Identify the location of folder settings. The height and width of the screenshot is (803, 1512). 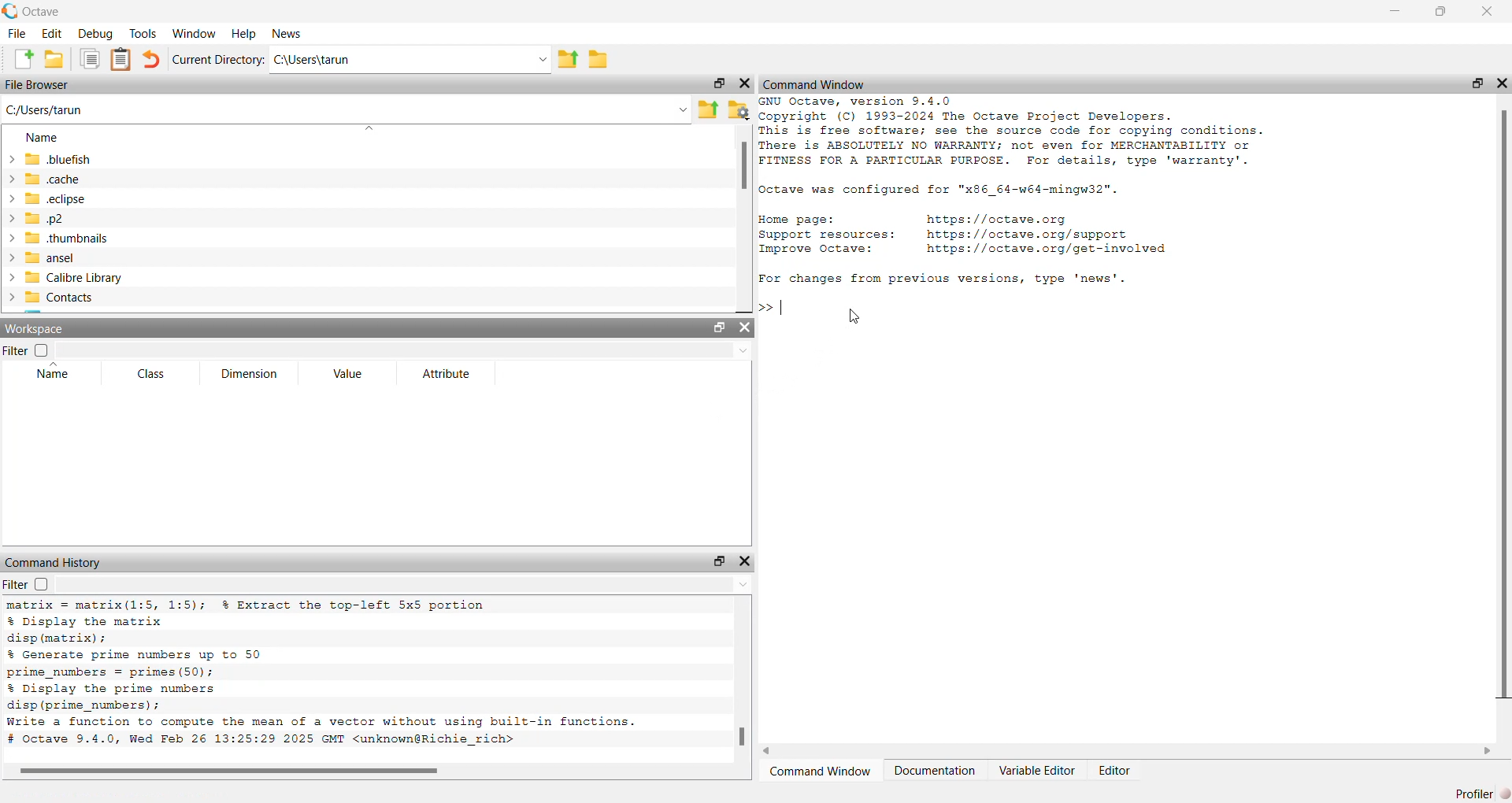
(739, 111).